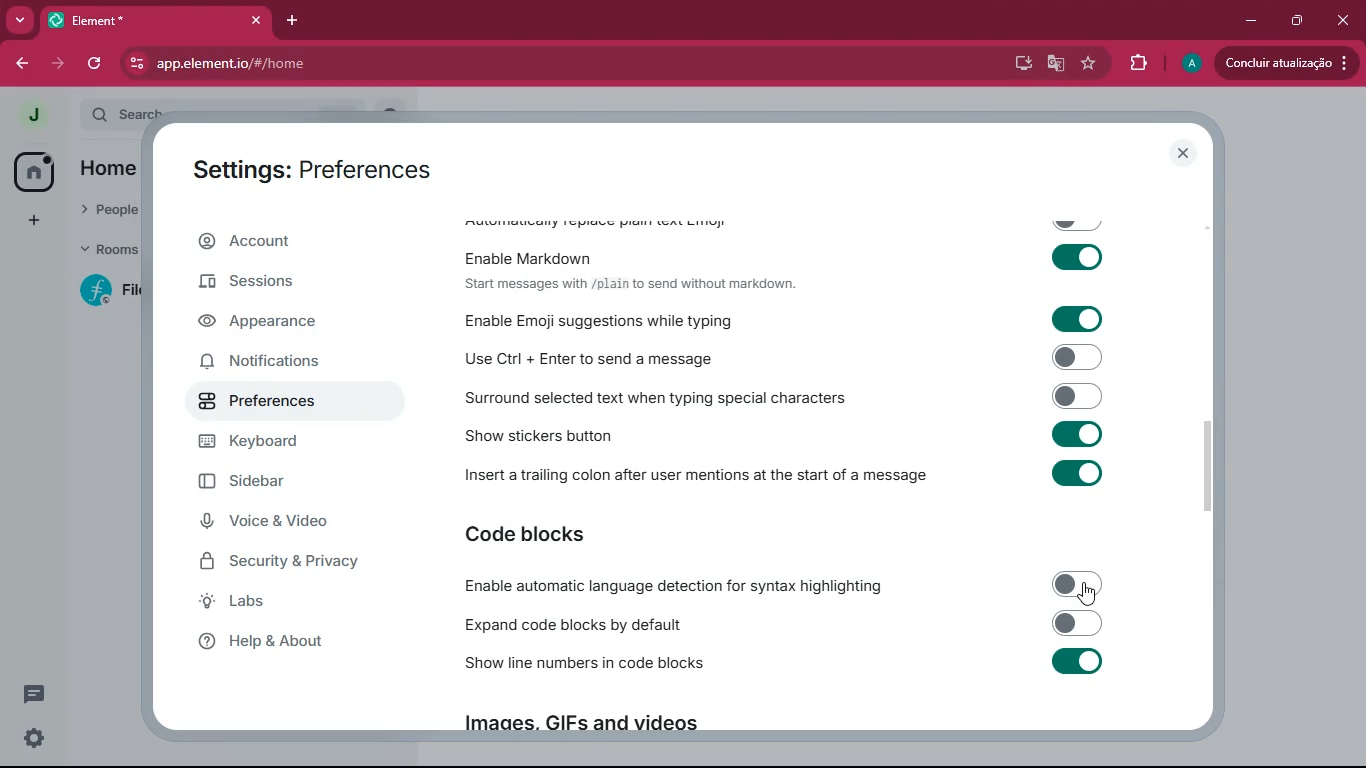  What do you see at coordinates (285, 365) in the screenshot?
I see `notifications` at bounding box center [285, 365].